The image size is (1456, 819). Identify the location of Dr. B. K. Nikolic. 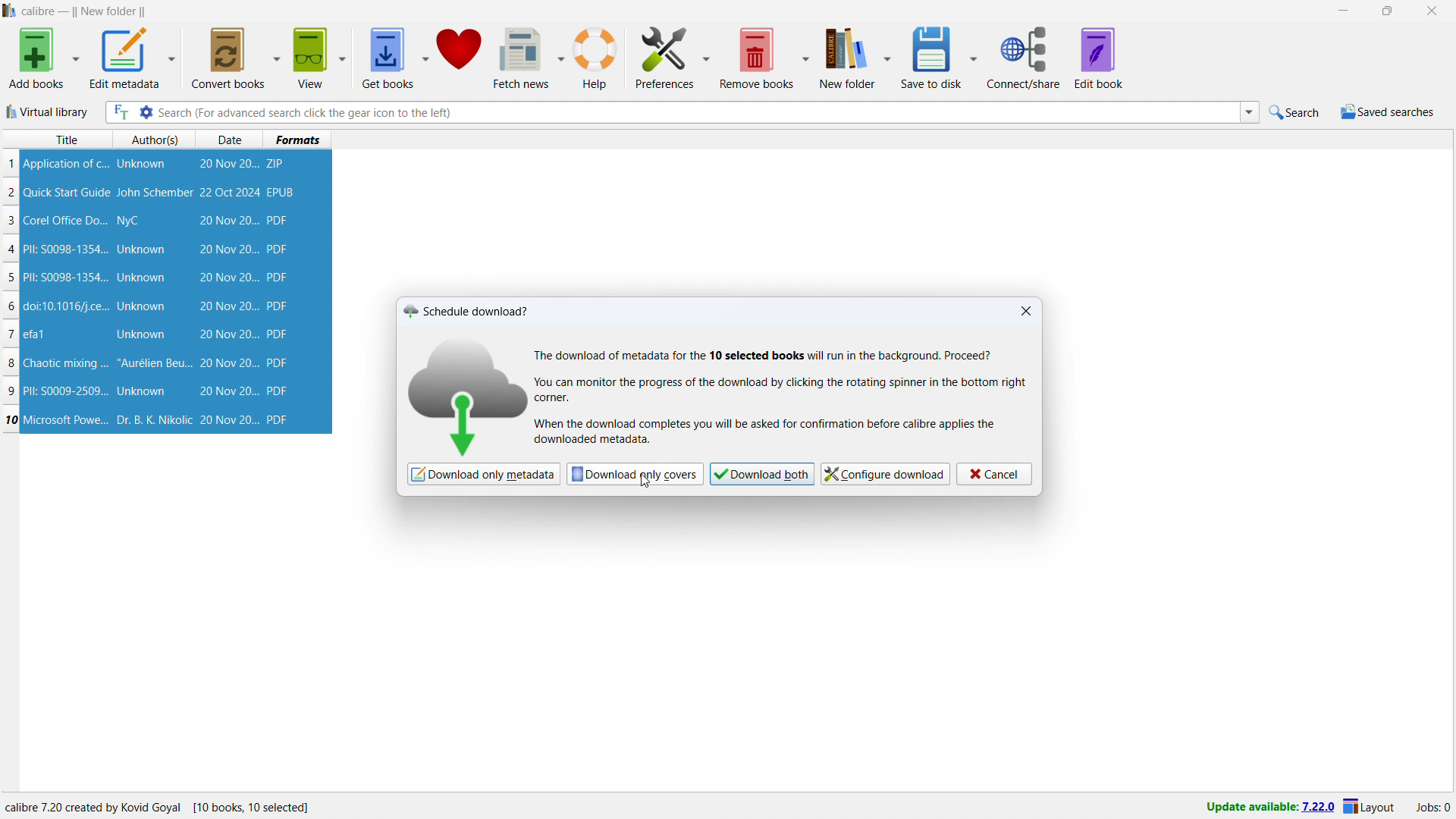
(152, 420).